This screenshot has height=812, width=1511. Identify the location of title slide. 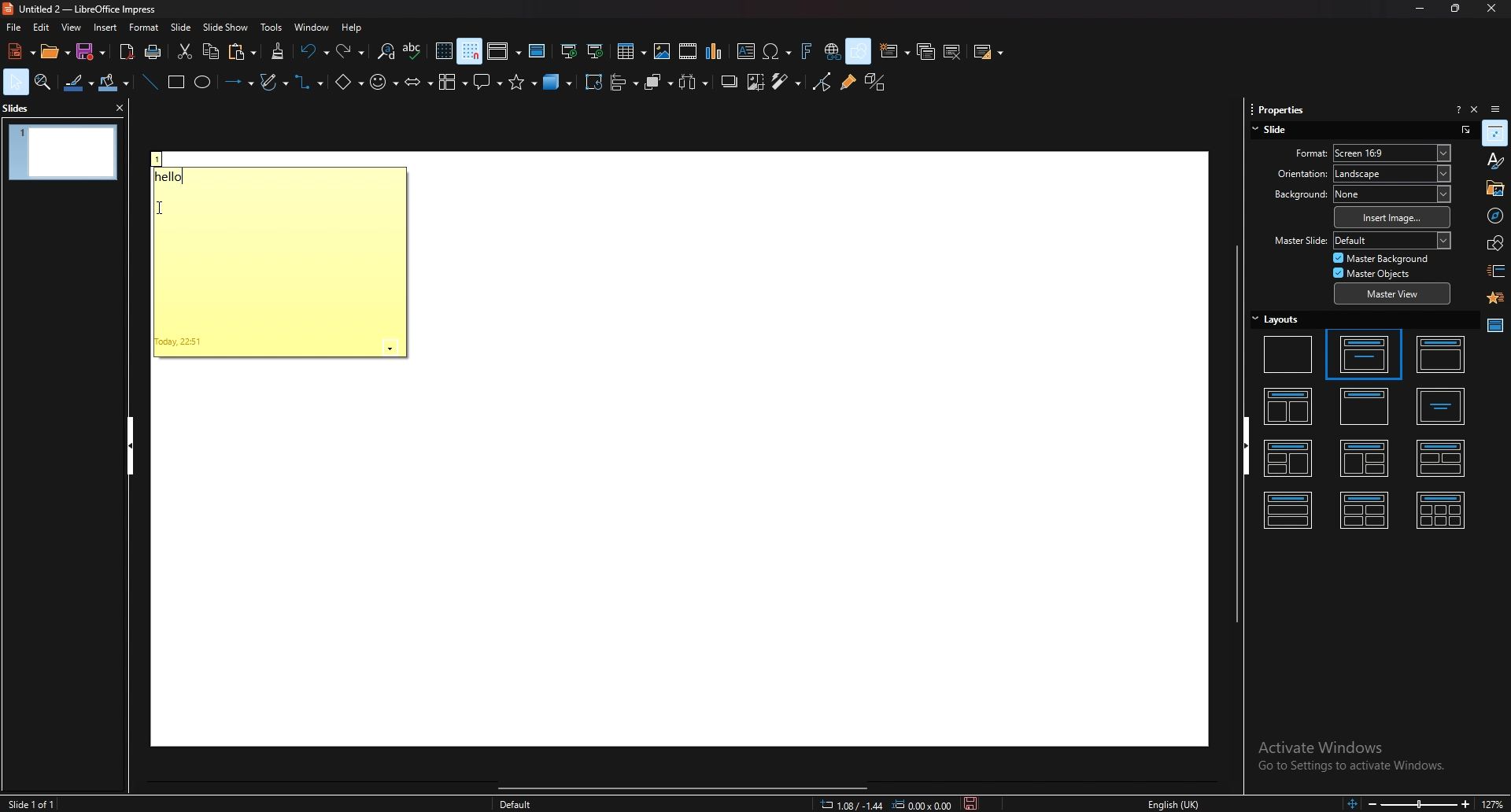
(1362, 353).